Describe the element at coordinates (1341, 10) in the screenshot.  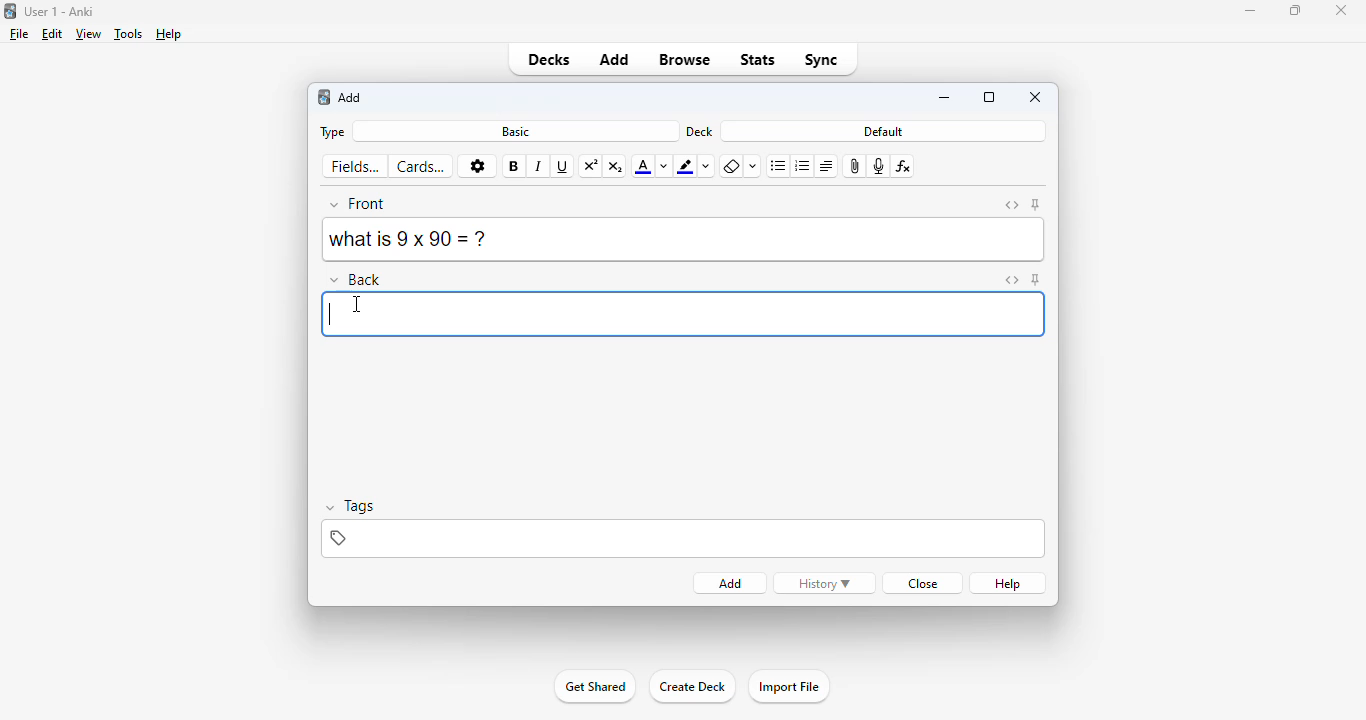
I see `close` at that location.